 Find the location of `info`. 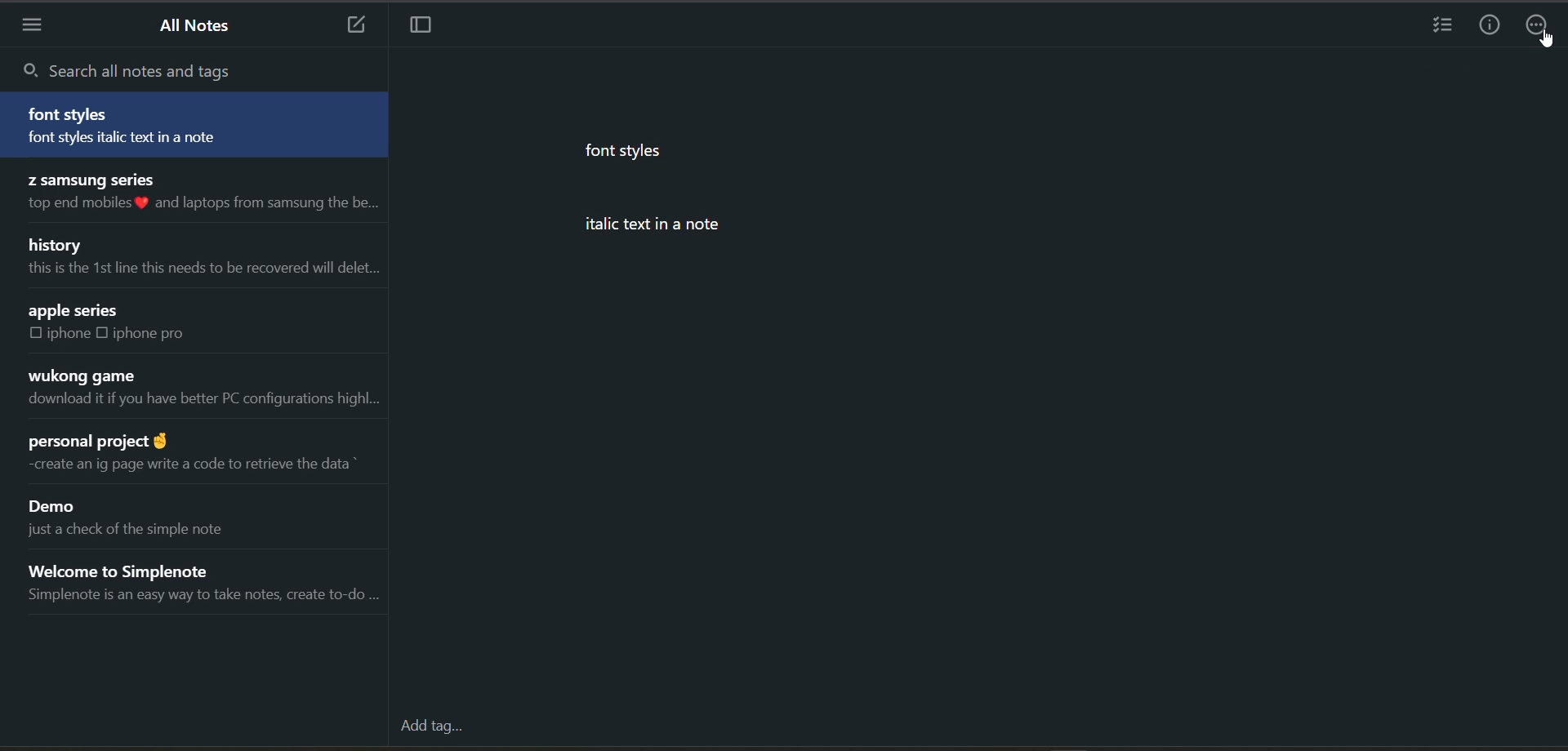

info is located at coordinates (1493, 23).